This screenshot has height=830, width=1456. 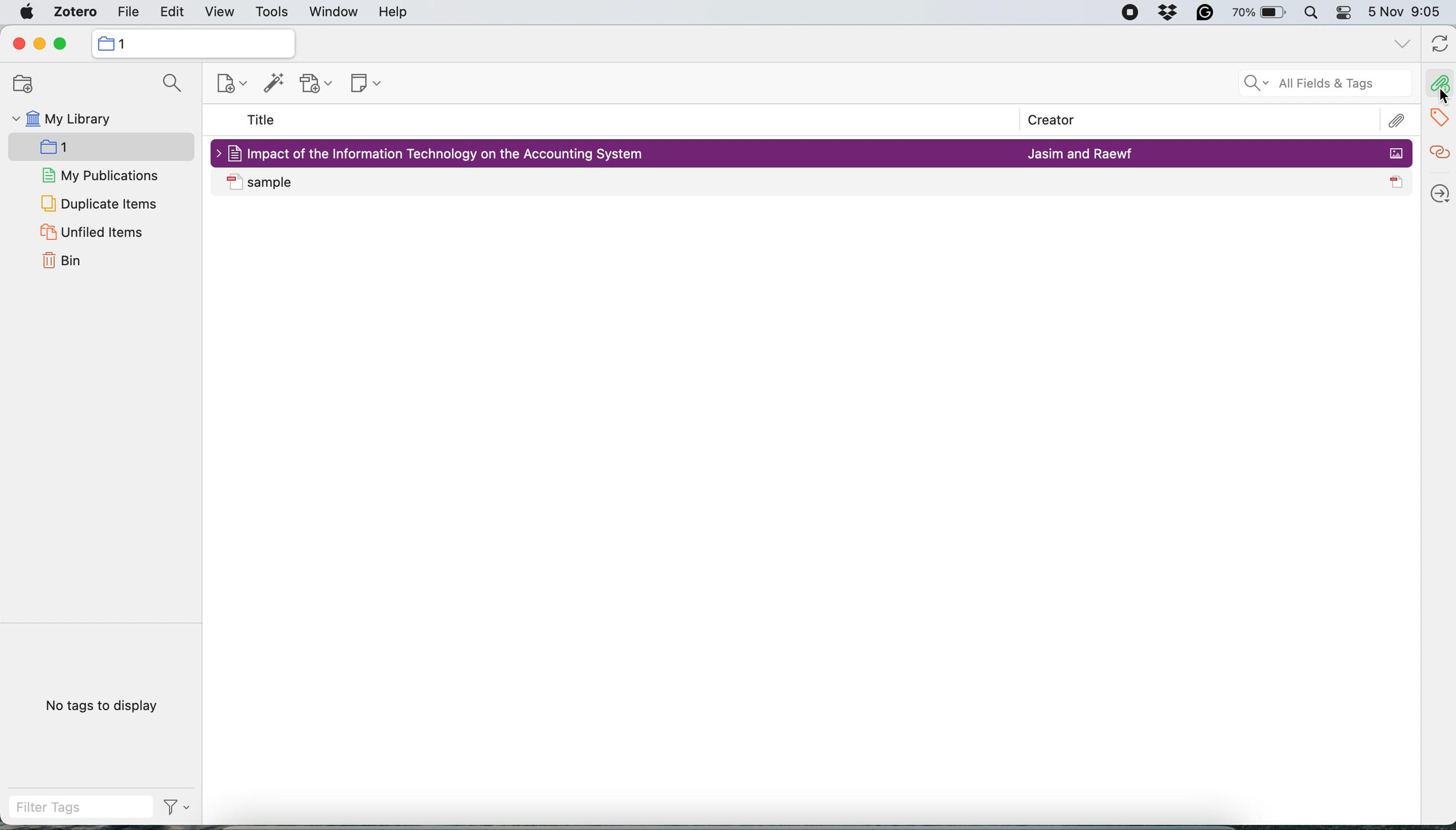 I want to click on creator, so click(x=1044, y=121).